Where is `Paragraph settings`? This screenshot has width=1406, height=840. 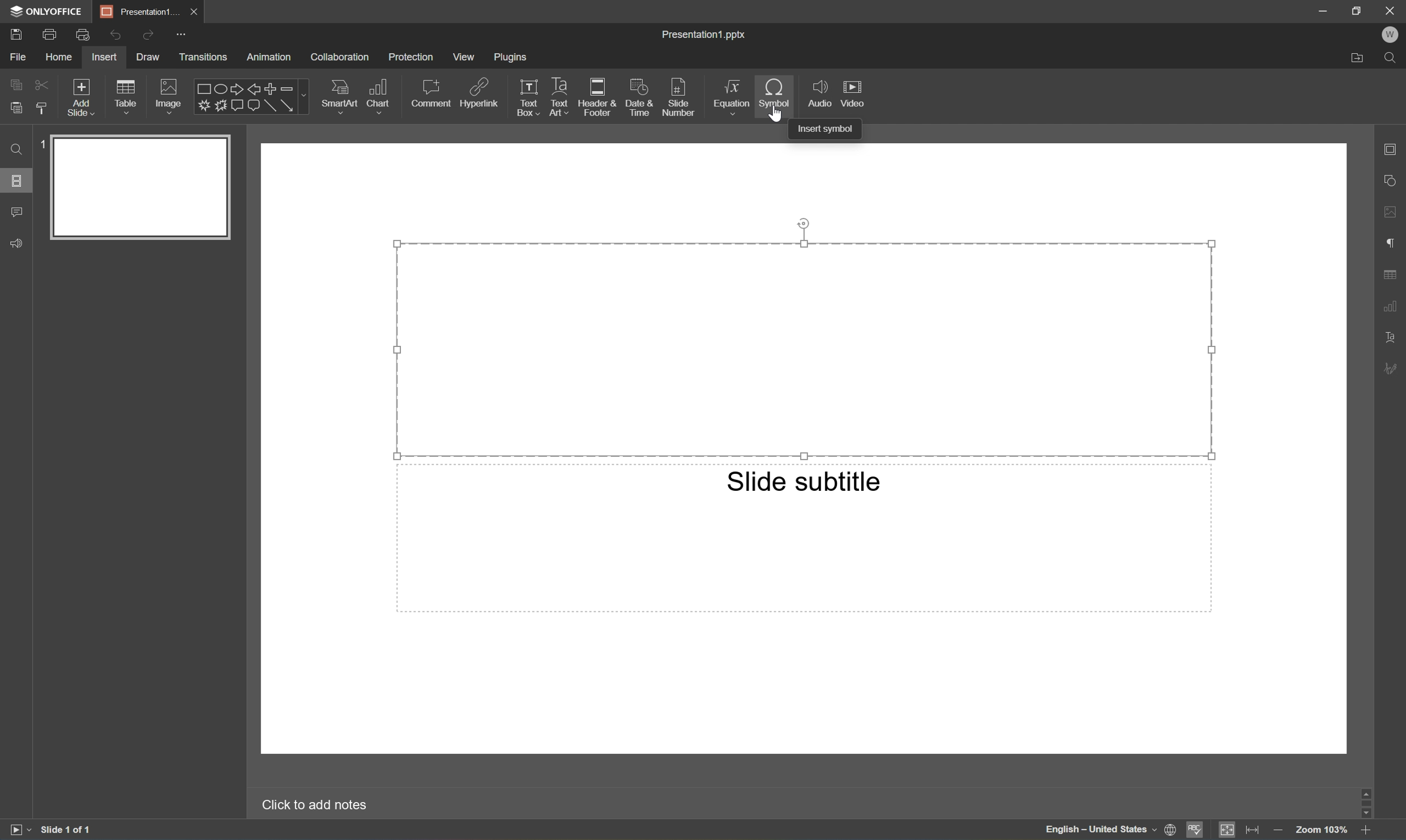
Paragraph settings is located at coordinates (1391, 243).